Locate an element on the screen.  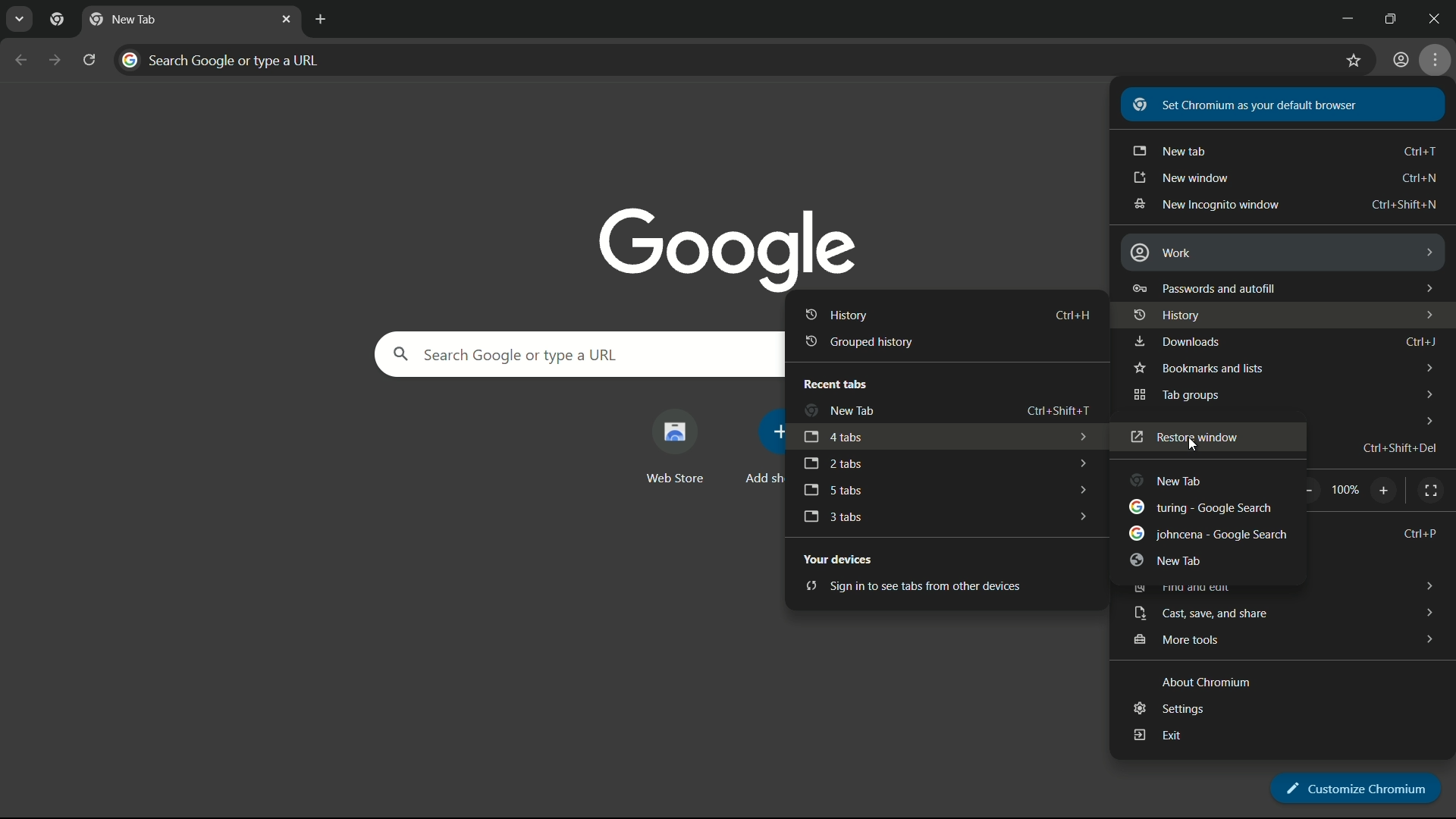
set chromium as your default browser is located at coordinates (1257, 105).